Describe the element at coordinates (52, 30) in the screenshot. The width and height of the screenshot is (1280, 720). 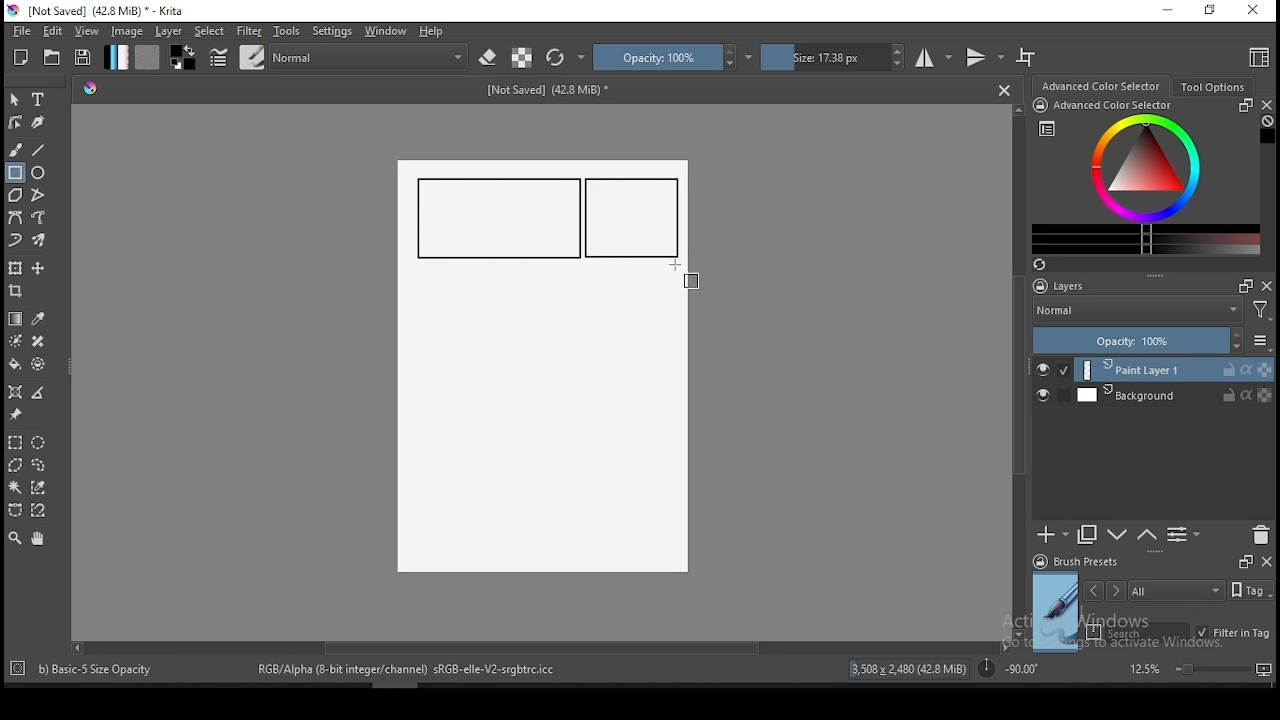
I see `edit` at that location.